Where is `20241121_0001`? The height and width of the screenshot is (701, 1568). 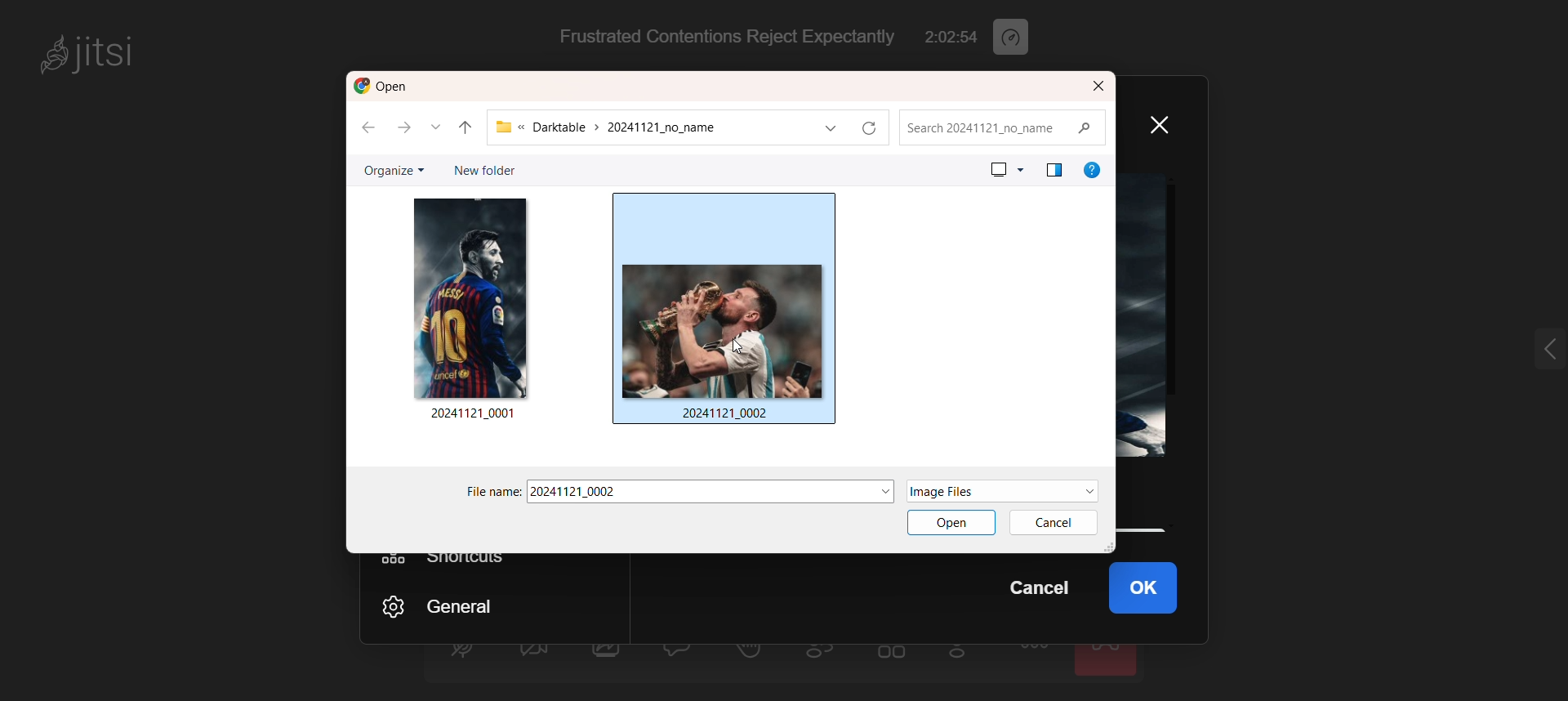
20241121_0001 is located at coordinates (474, 414).